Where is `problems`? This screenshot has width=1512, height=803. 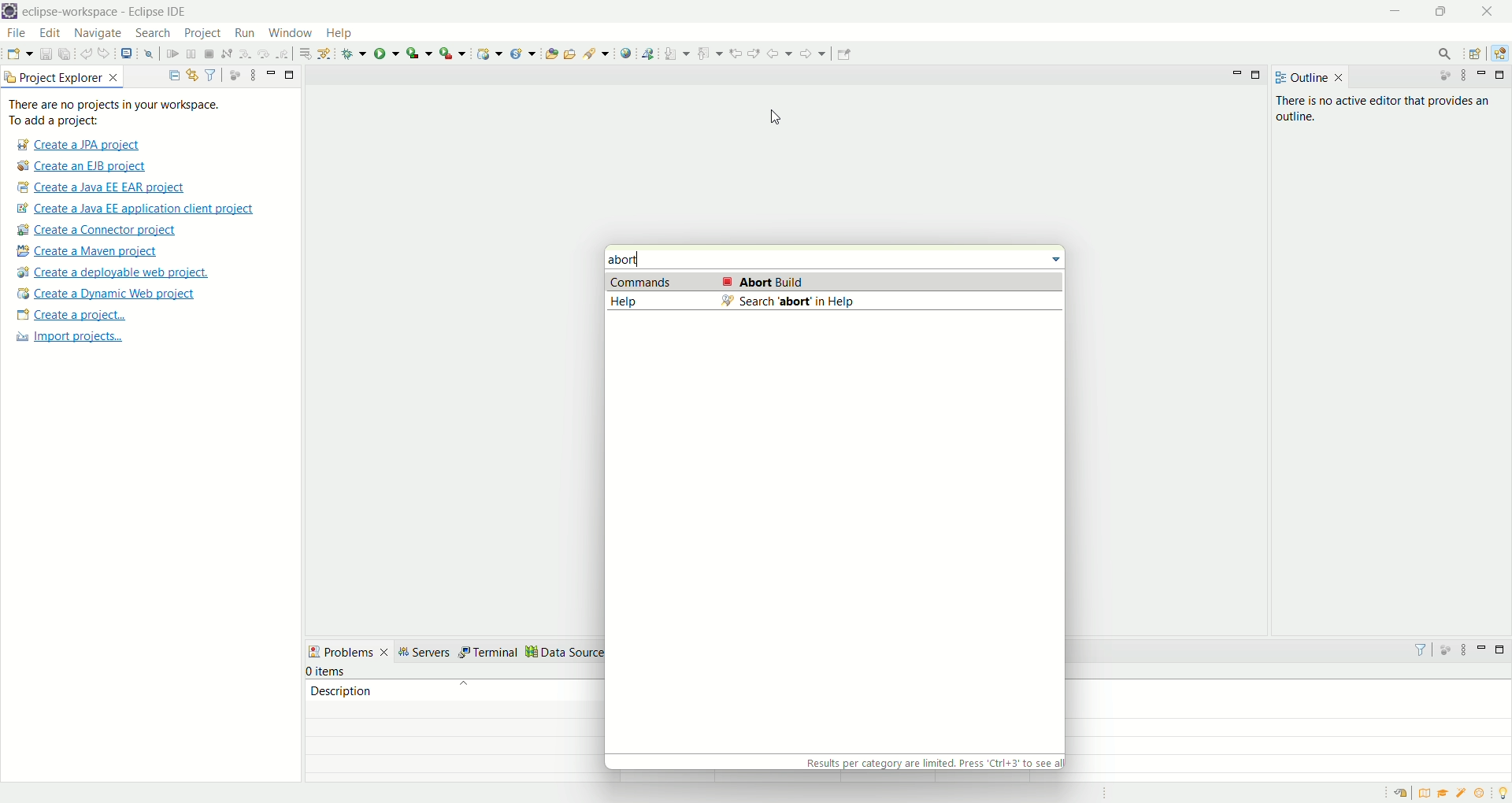 problems is located at coordinates (350, 650).